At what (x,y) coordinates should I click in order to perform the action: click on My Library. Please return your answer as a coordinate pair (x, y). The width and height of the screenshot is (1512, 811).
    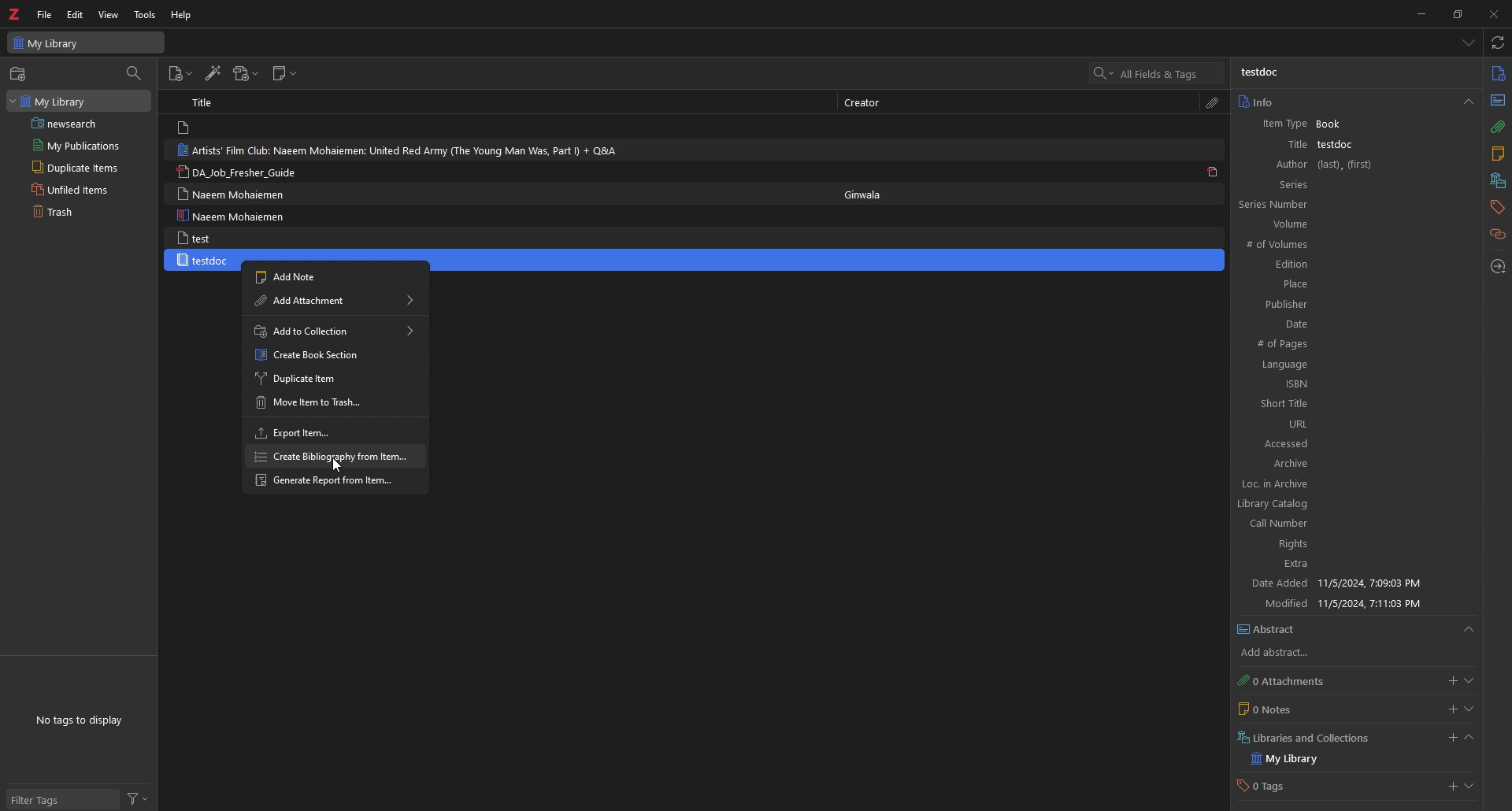
    Looking at the image, I should click on (86, 42).